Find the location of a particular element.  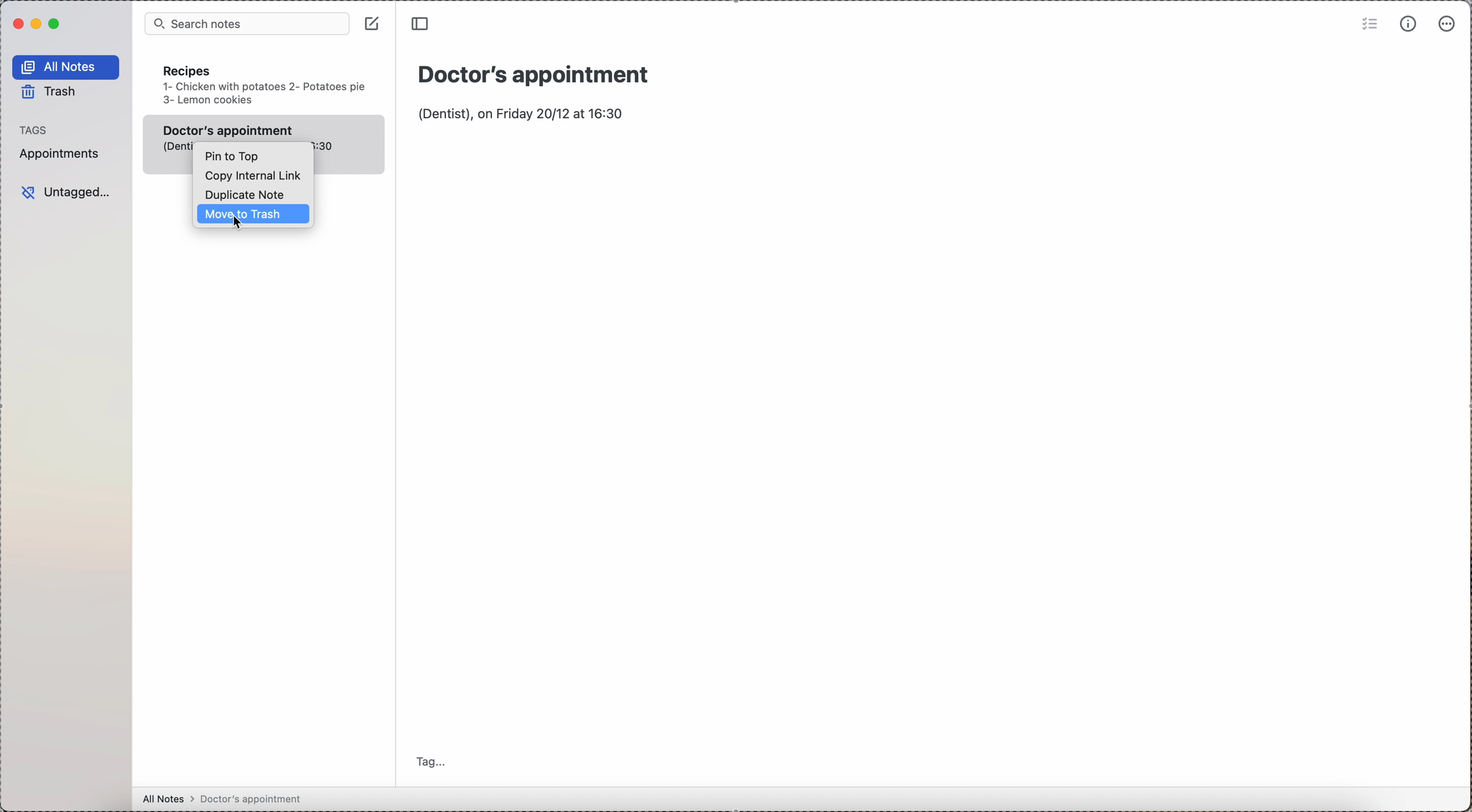

untagged is located at coordinates (65, 190).